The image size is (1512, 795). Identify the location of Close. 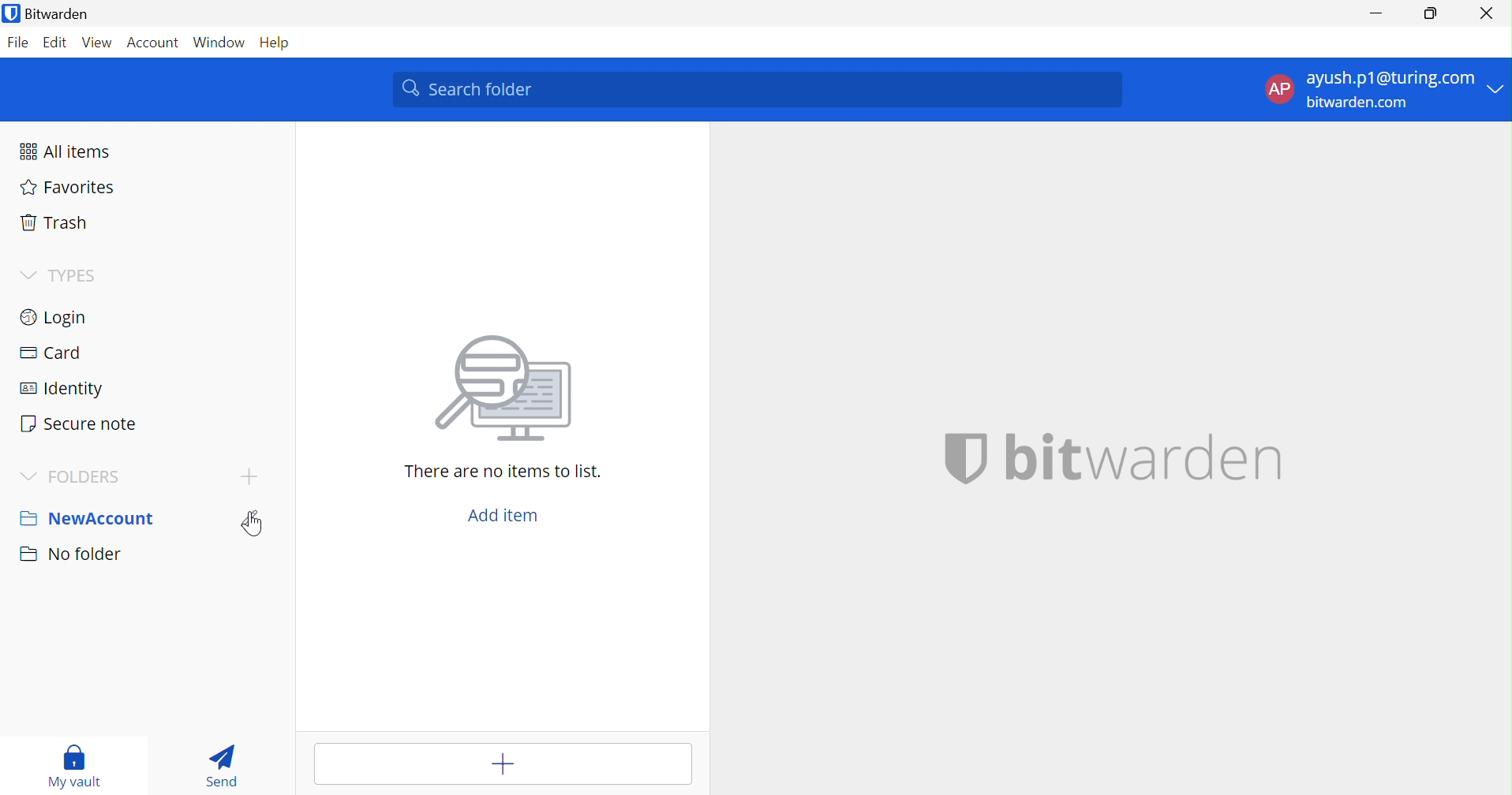
(1487, 13).